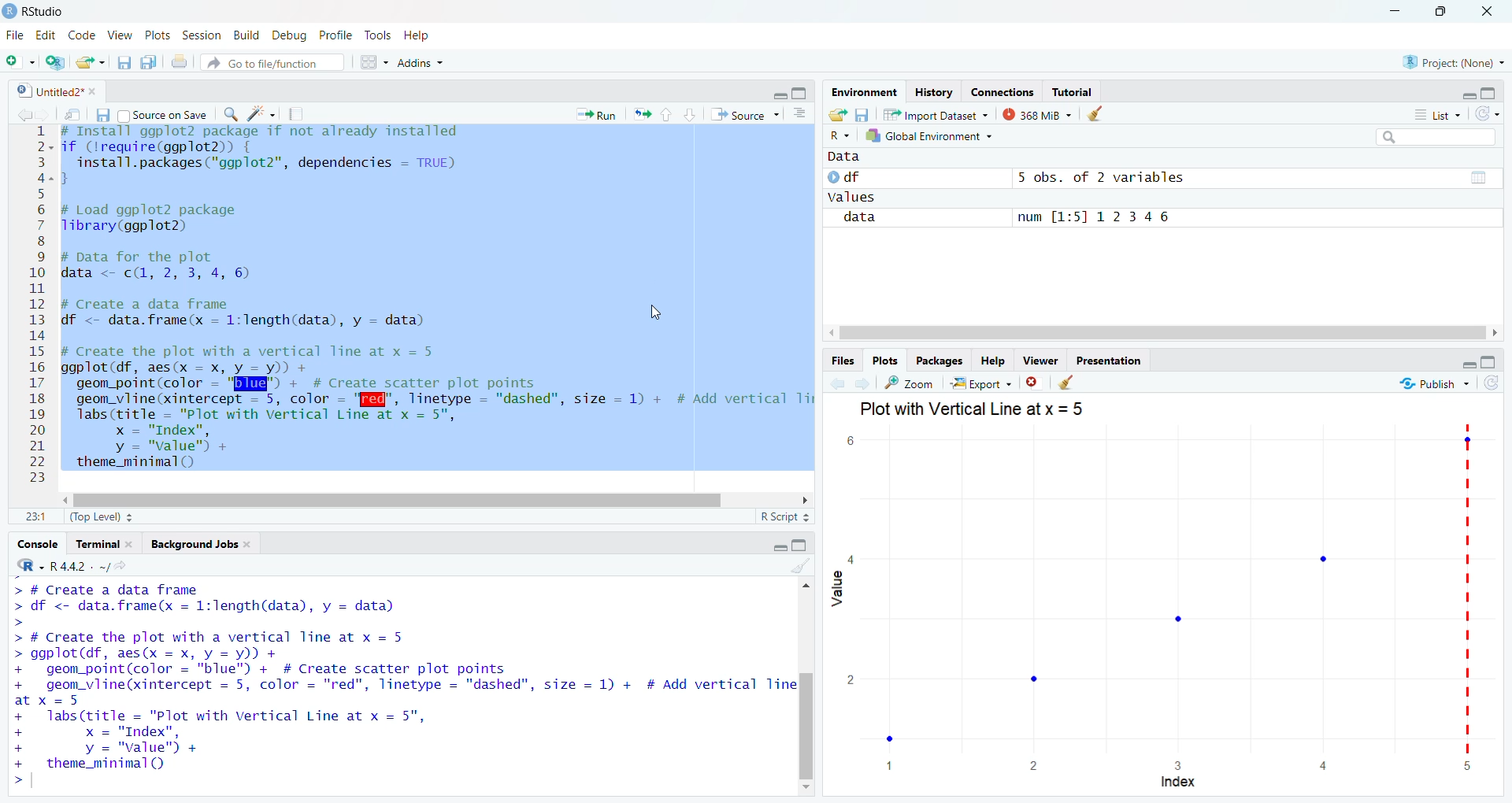  Describe the element at coordinates (1436, 115) in the screenshot. I see `List ` at that location.